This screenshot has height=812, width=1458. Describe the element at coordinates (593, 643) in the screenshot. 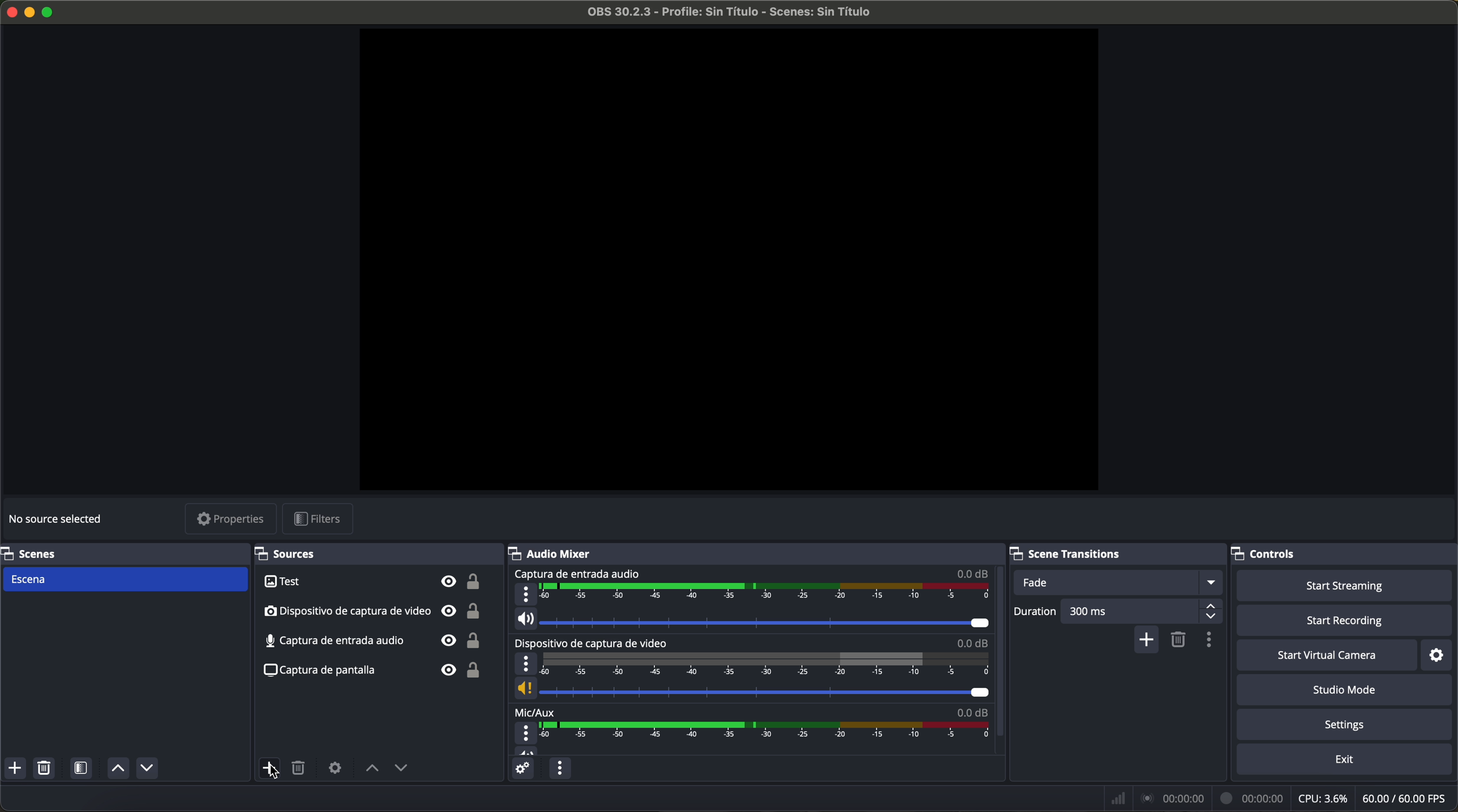

I see `video capture device` at that location.